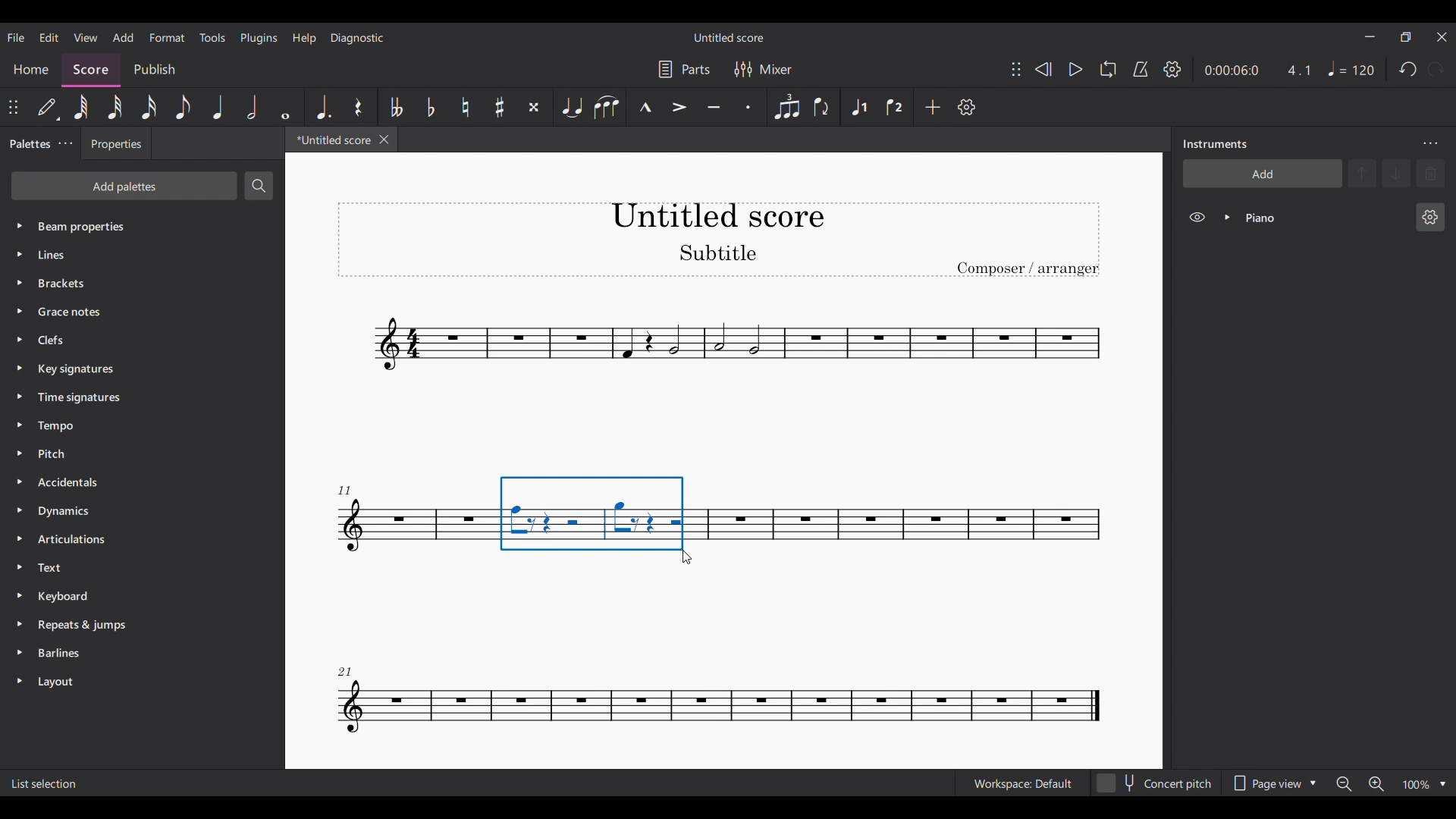  I want to click on Add menu, so click(124, 37).